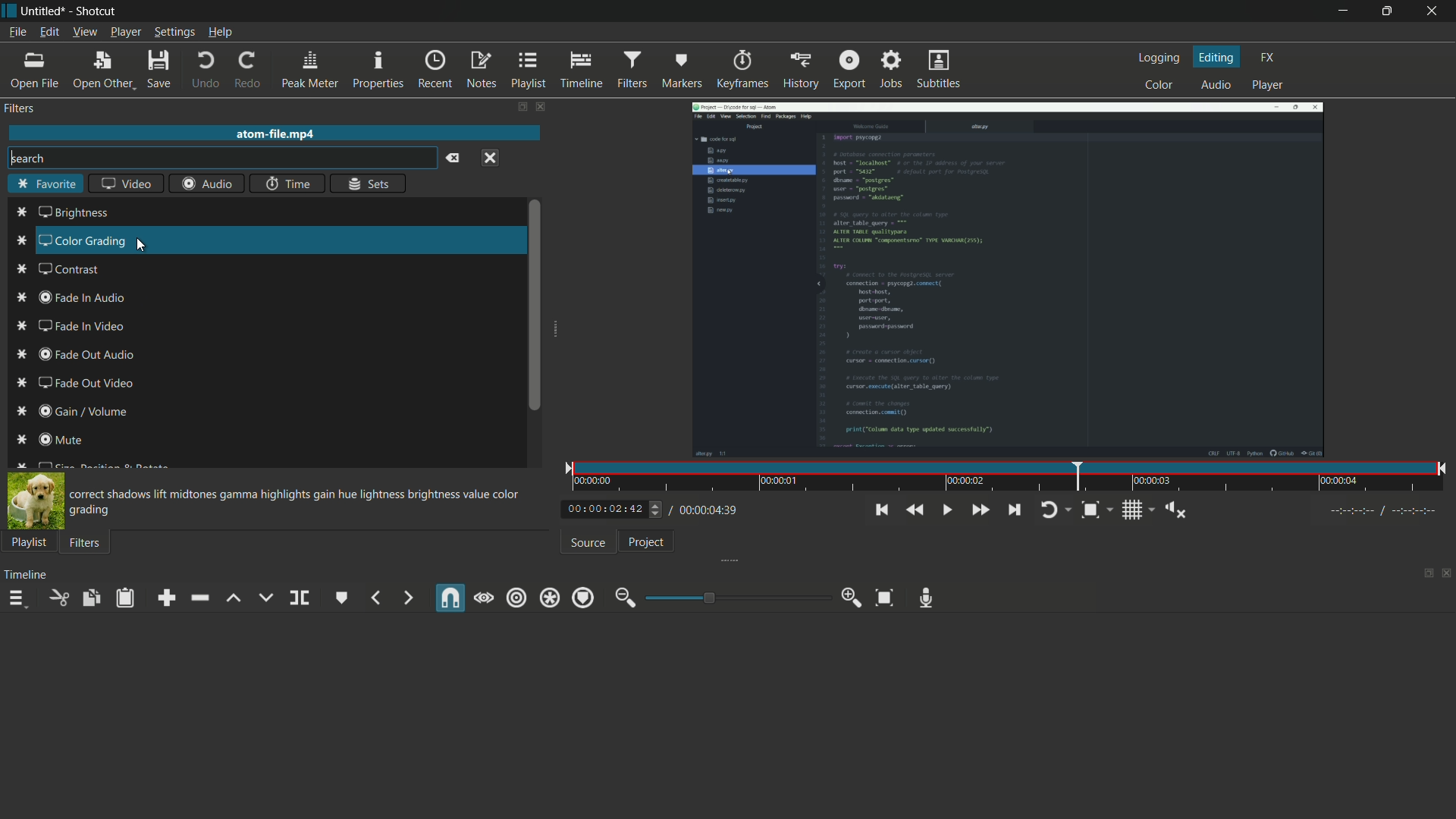 This screenshot has width=1456, height=819. I want to click on color, so click(1160, 84).